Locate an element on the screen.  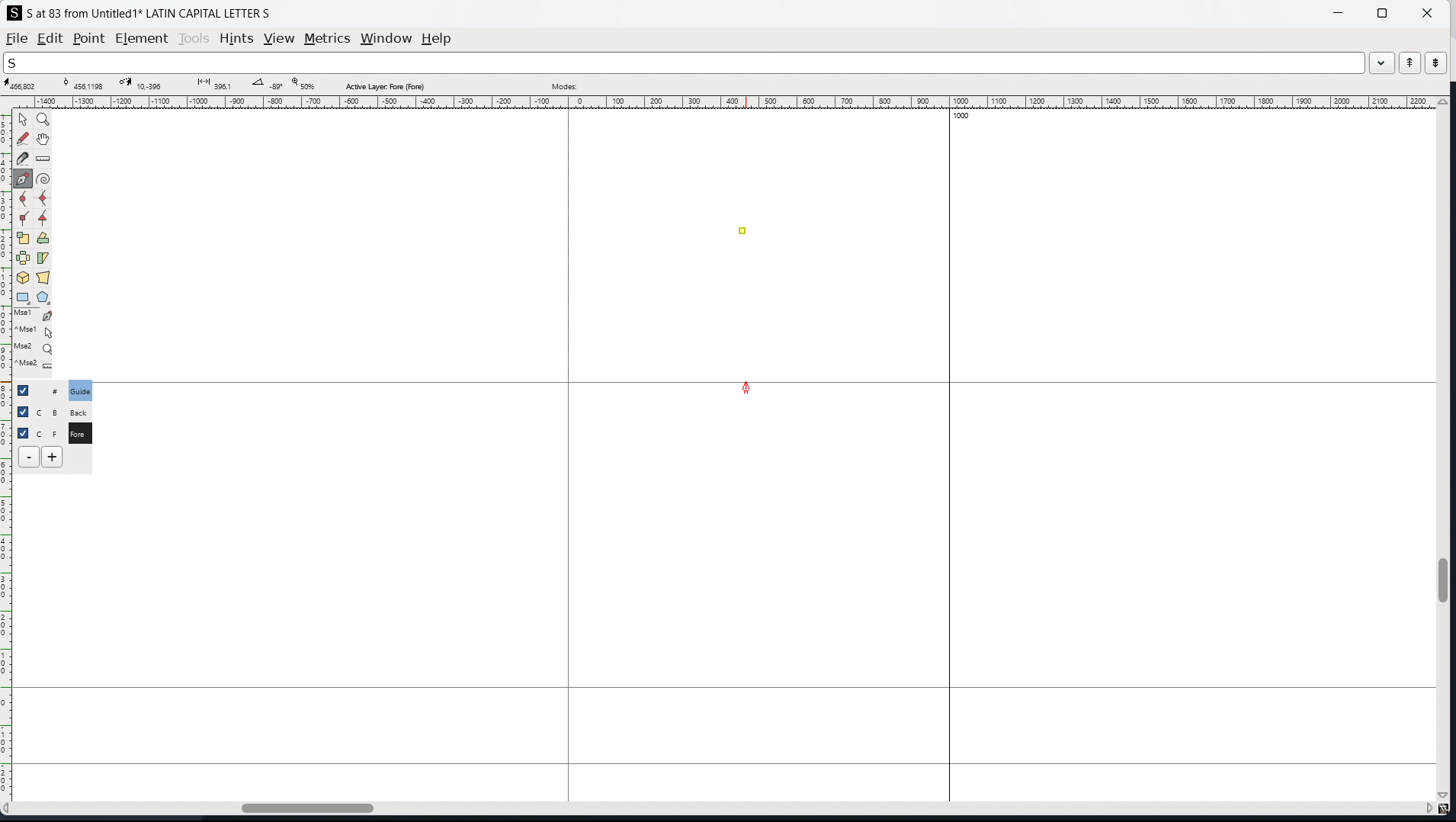
flip the selection is located at coordinates (23, 258).